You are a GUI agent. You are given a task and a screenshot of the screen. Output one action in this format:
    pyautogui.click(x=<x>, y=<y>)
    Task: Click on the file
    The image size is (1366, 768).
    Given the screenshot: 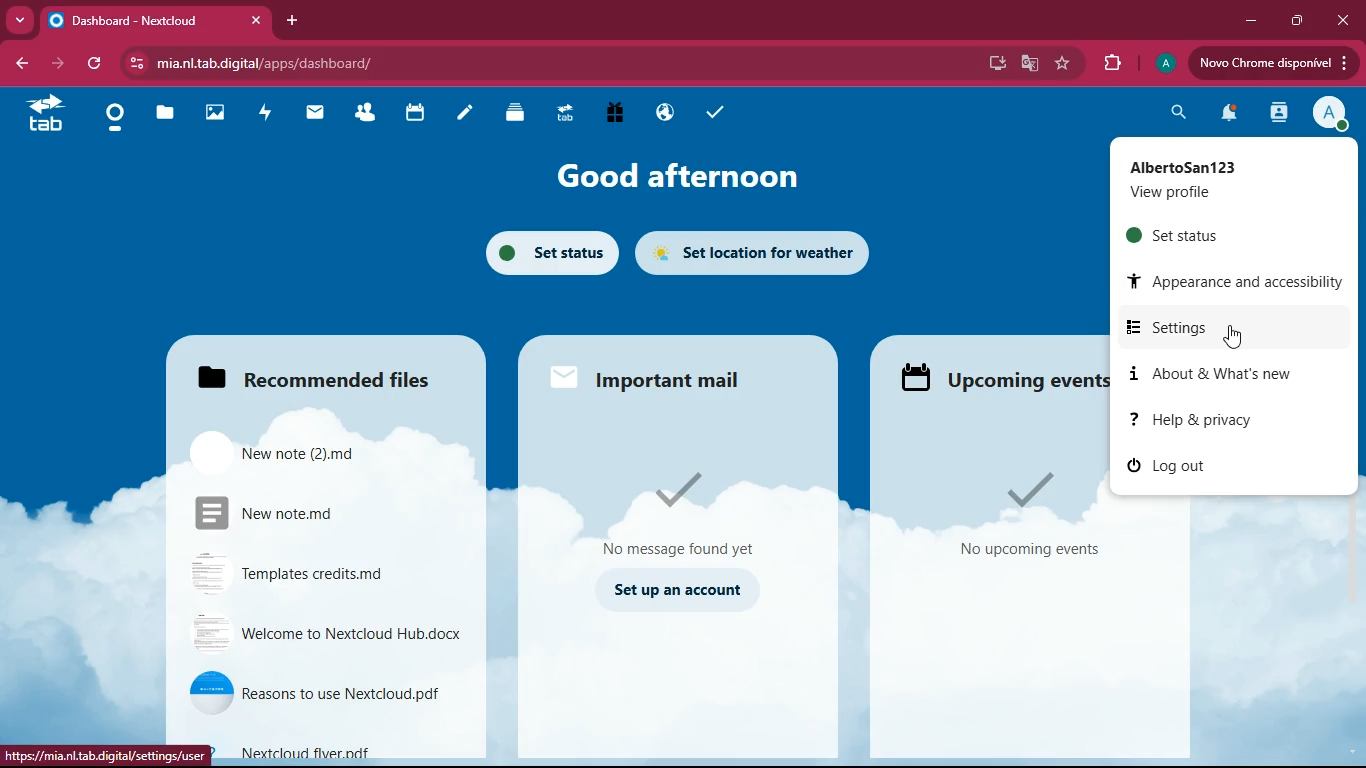 What is the action you would take?
    pyautogui.click(x=287, y=513)
    